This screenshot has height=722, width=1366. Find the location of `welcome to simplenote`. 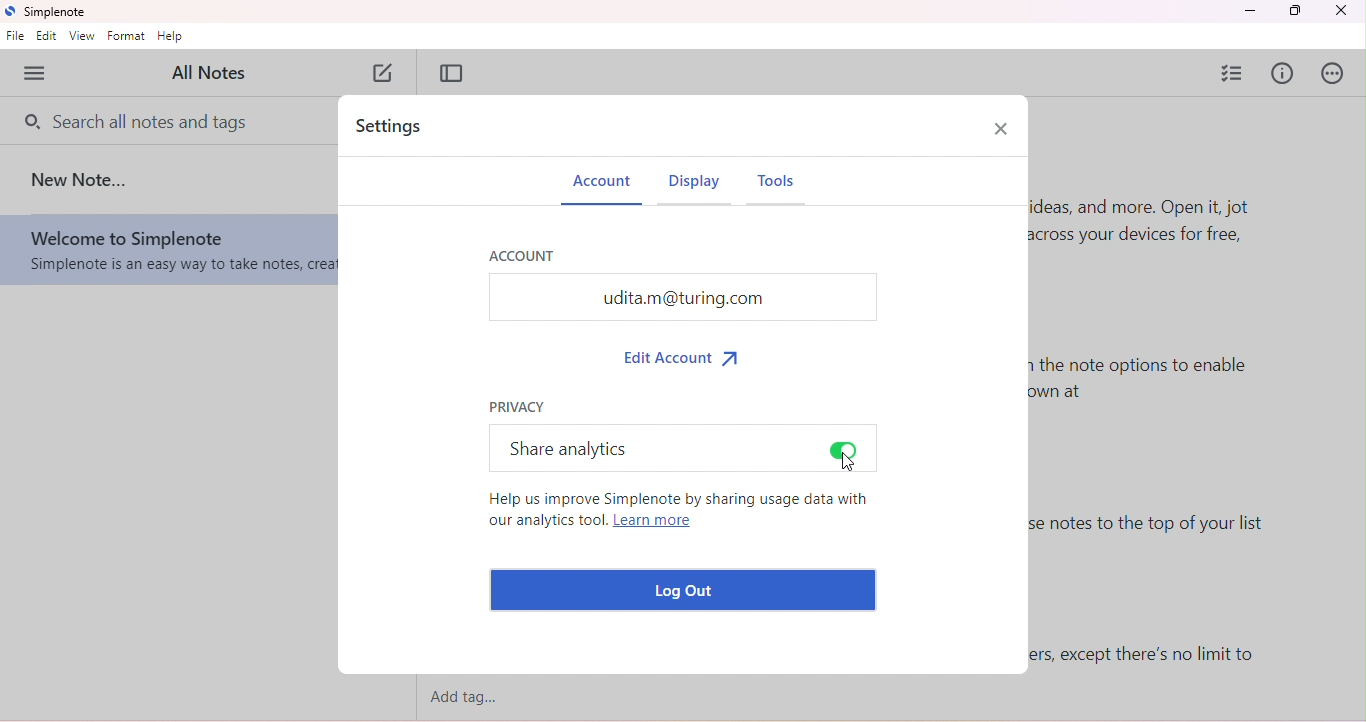

welcome to simplenote is located at coordinates (168, 251).